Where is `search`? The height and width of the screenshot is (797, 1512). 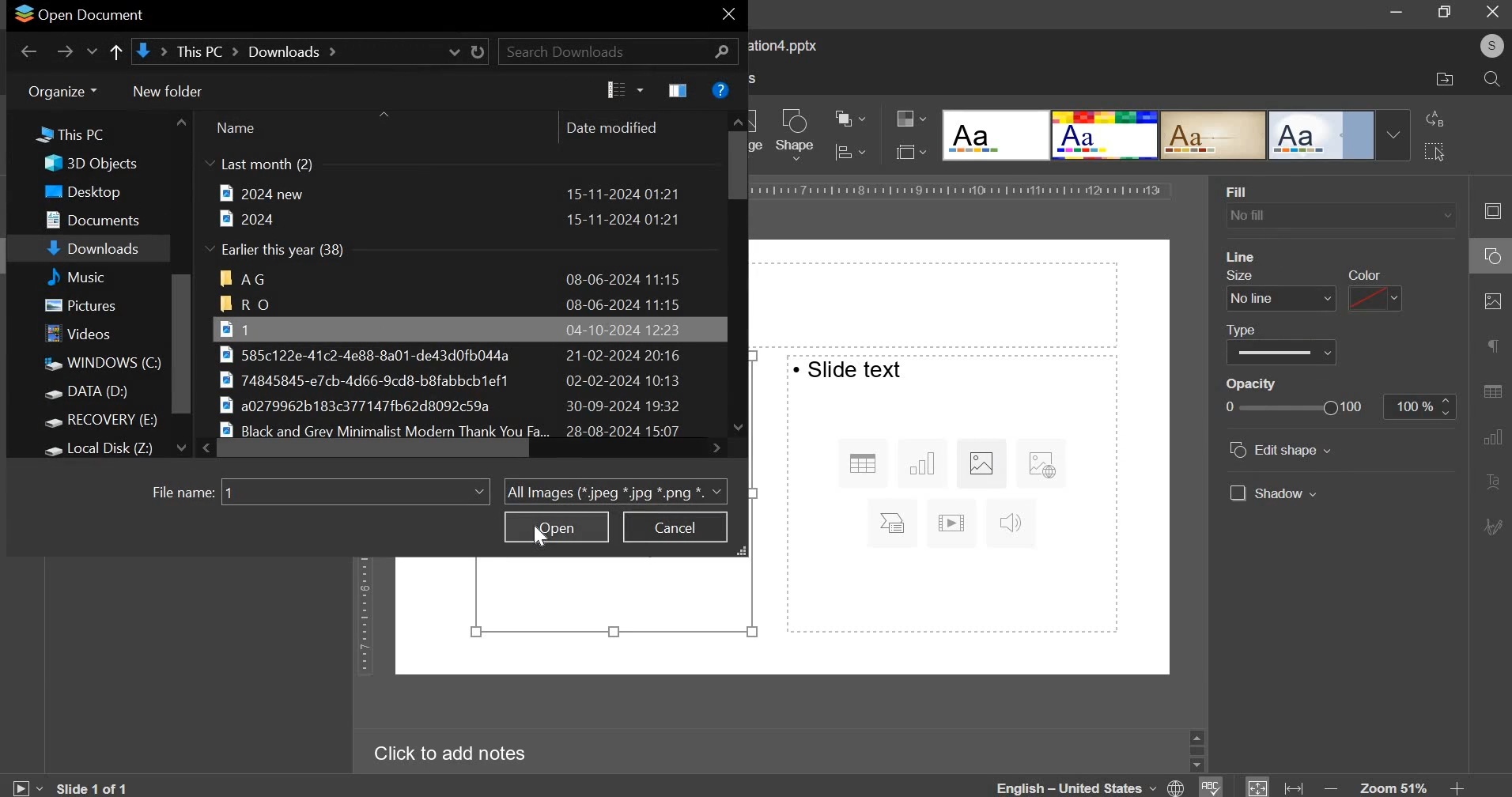 search is located at coordinates (1491, 81).